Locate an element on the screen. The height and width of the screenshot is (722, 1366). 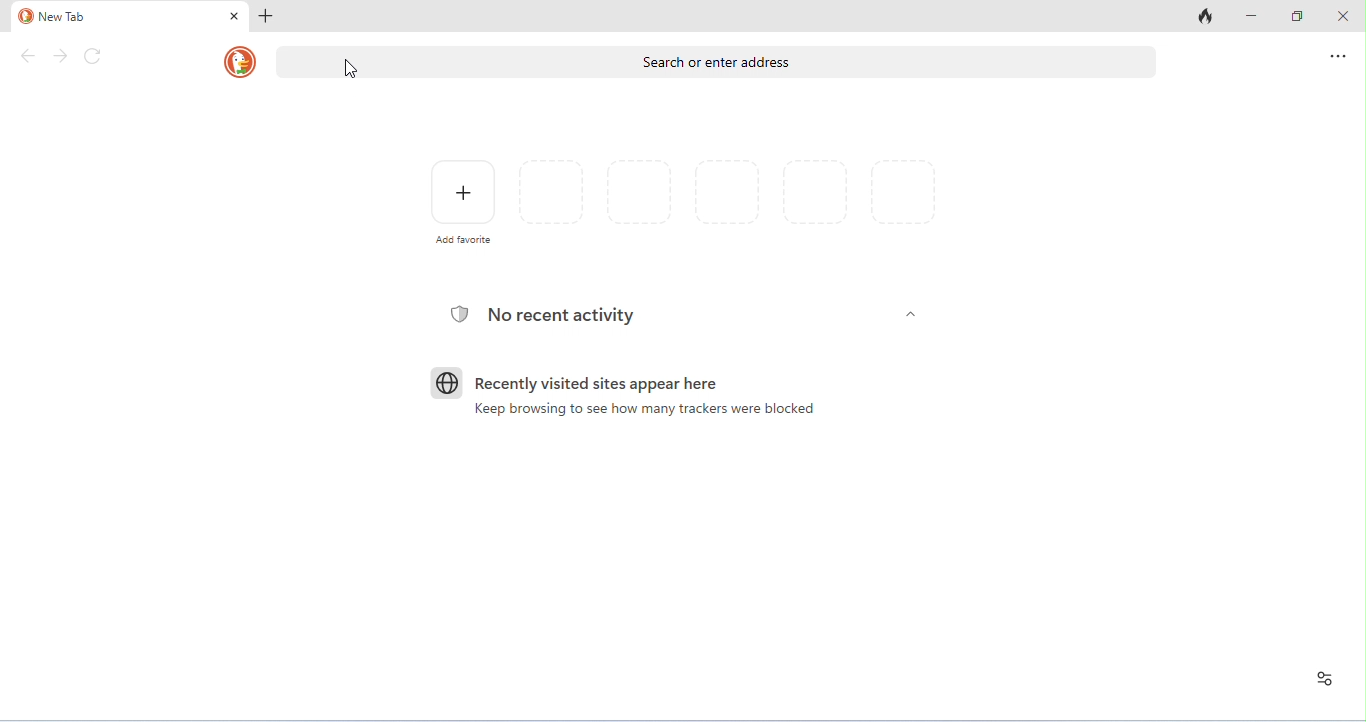
close tab is located at coordinates (266, 17).